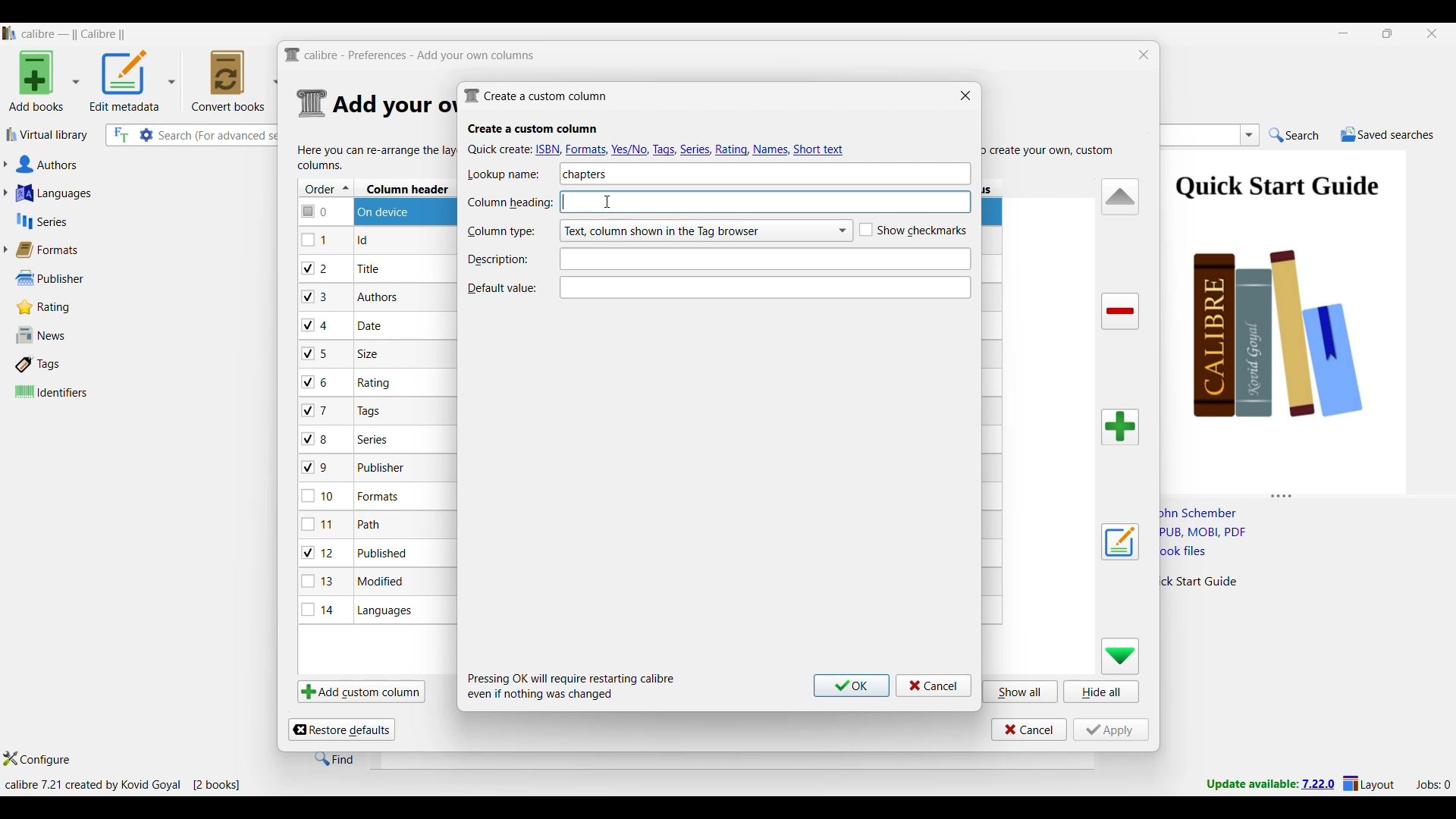 The width and height of the screenshot is (1456, 819). Describe the element at coordinates (510, 203) in the screenshot. I see `Indicates Column heading text box` at that location.